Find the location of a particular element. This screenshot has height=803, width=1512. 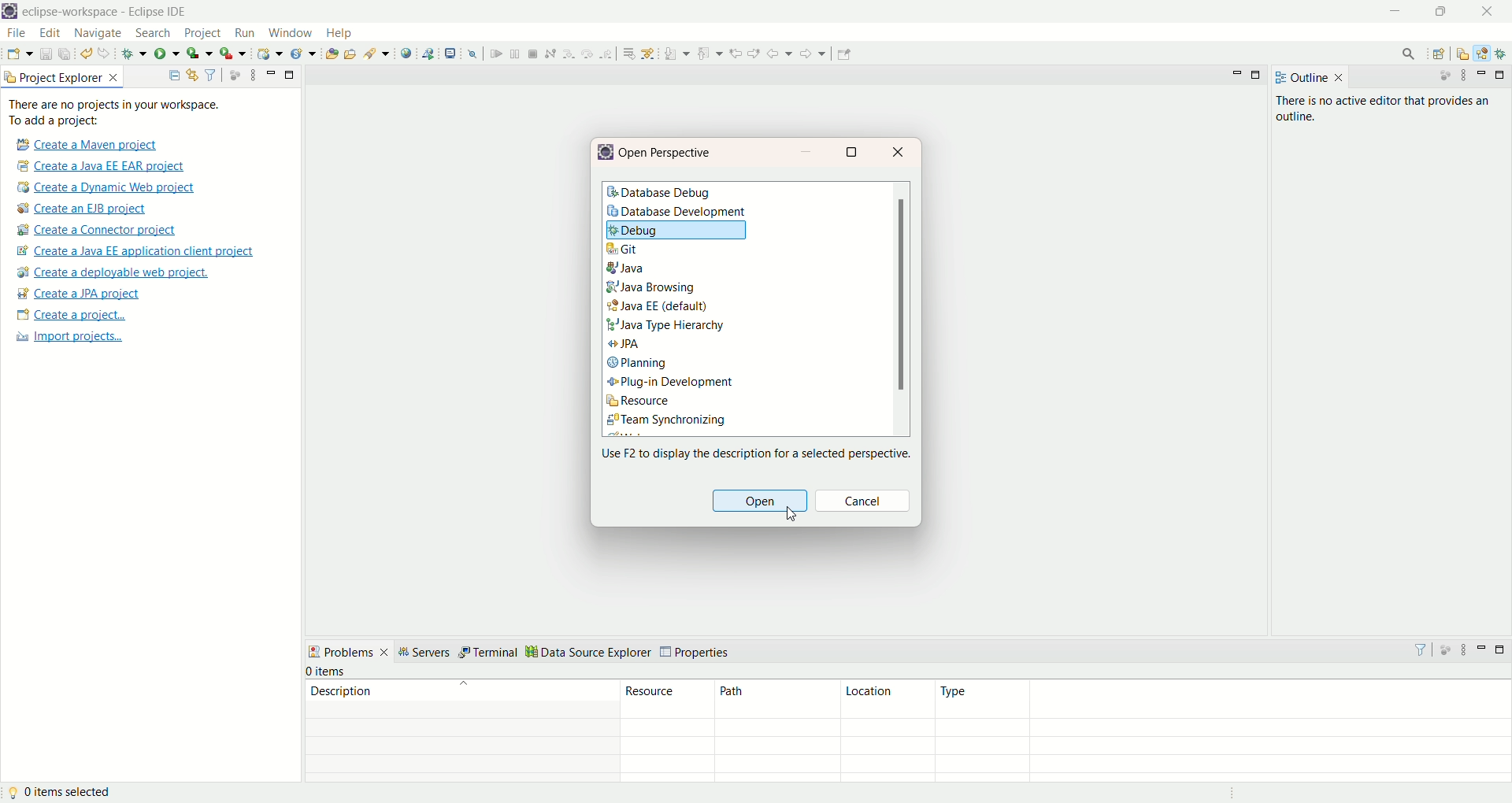

save is located at coordinates (43, 54).